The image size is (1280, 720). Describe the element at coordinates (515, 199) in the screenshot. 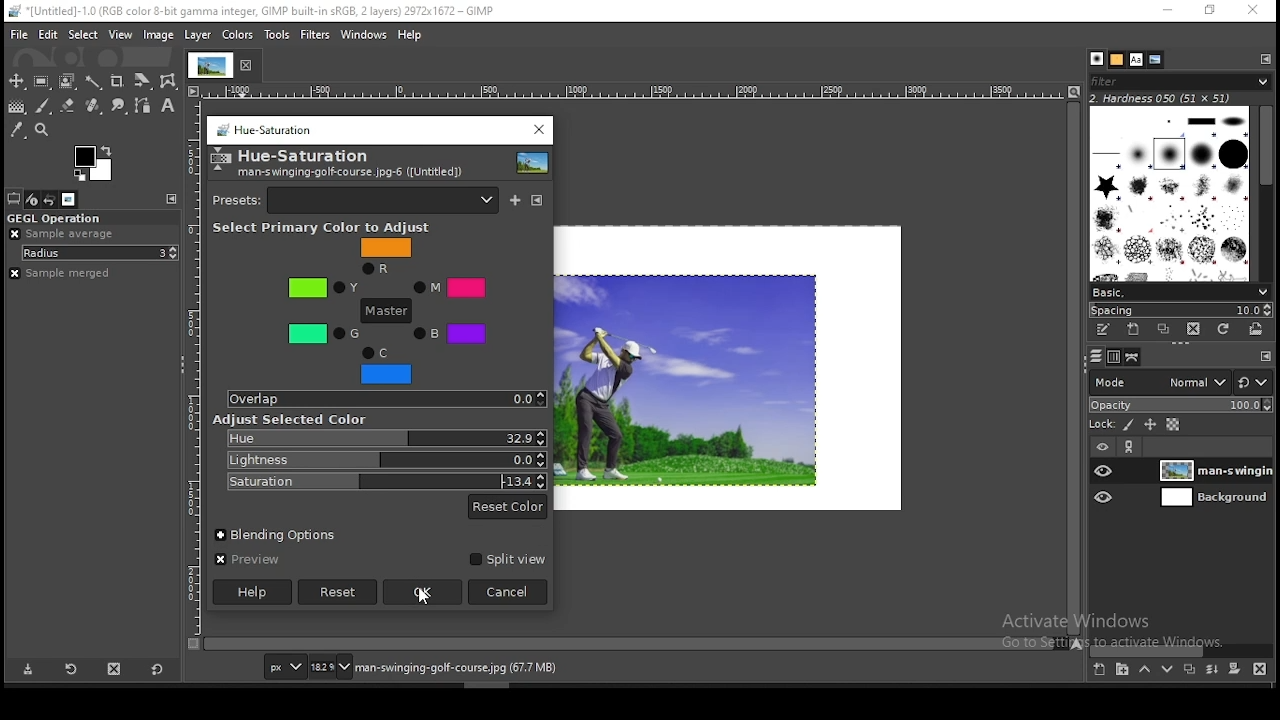

I see `save current as named preset` at that location.